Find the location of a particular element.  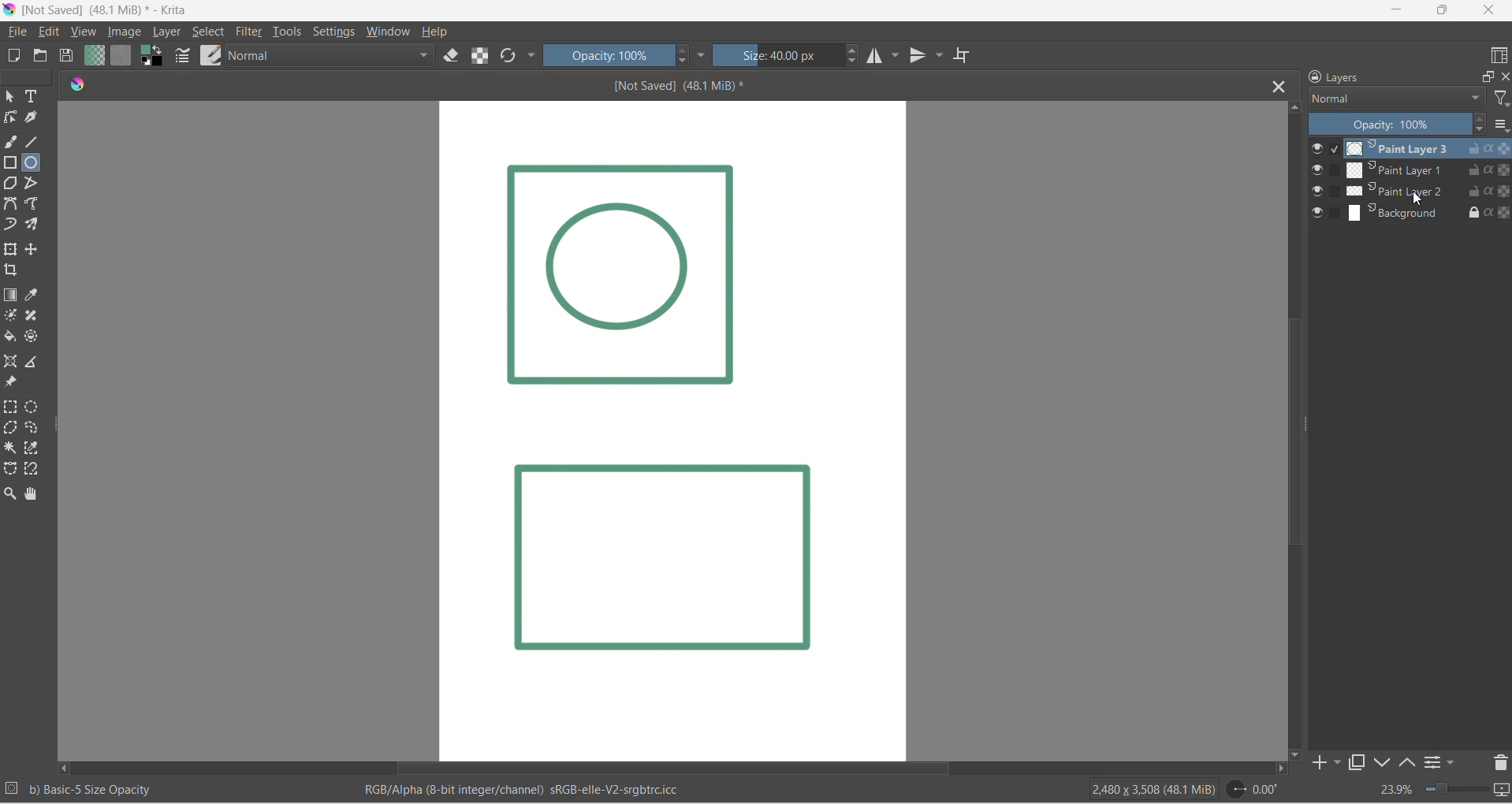

text is located at coordinates (37, 98).